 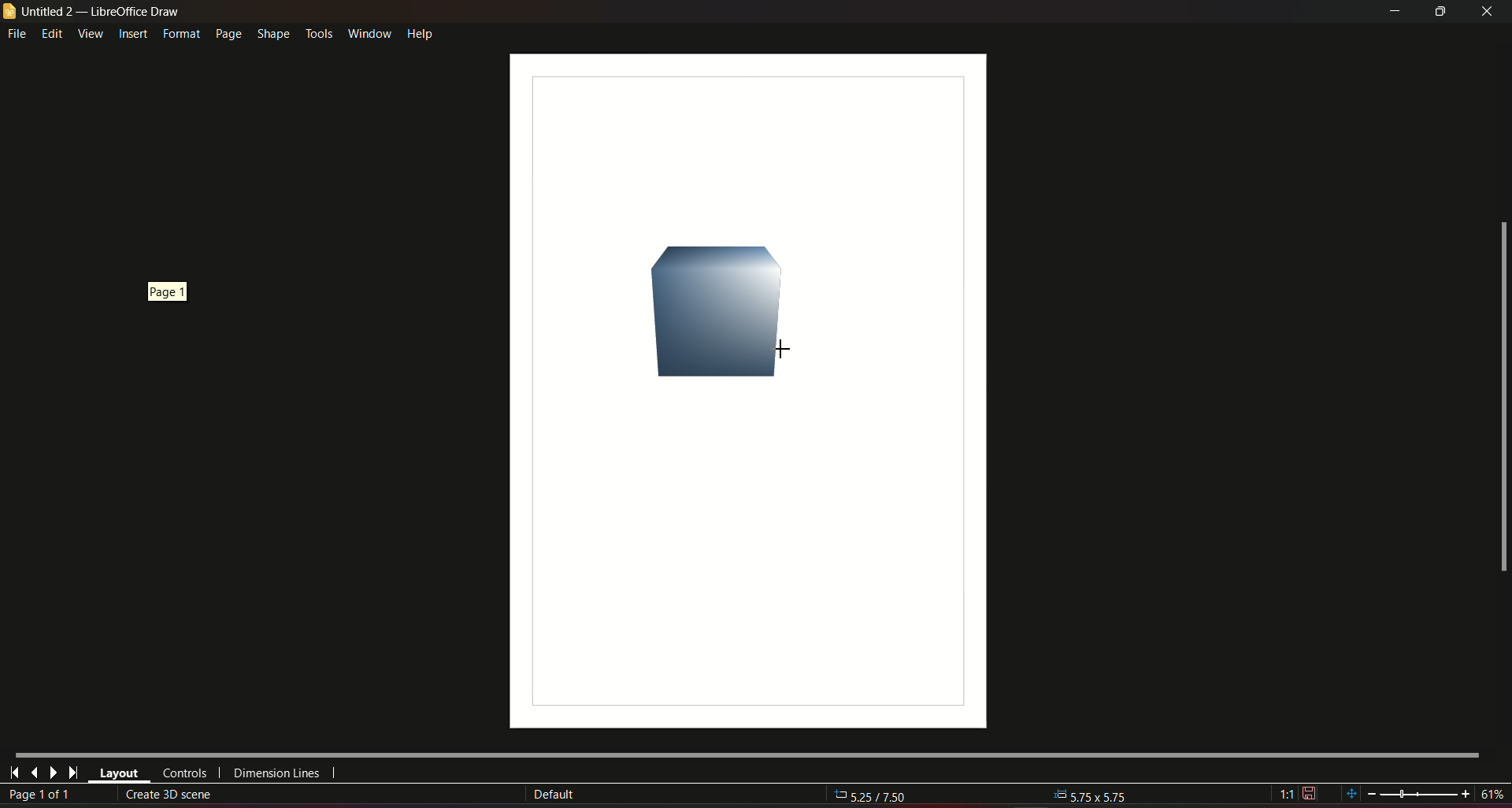 I want to click on Cursor, so click(x=776, y=350).